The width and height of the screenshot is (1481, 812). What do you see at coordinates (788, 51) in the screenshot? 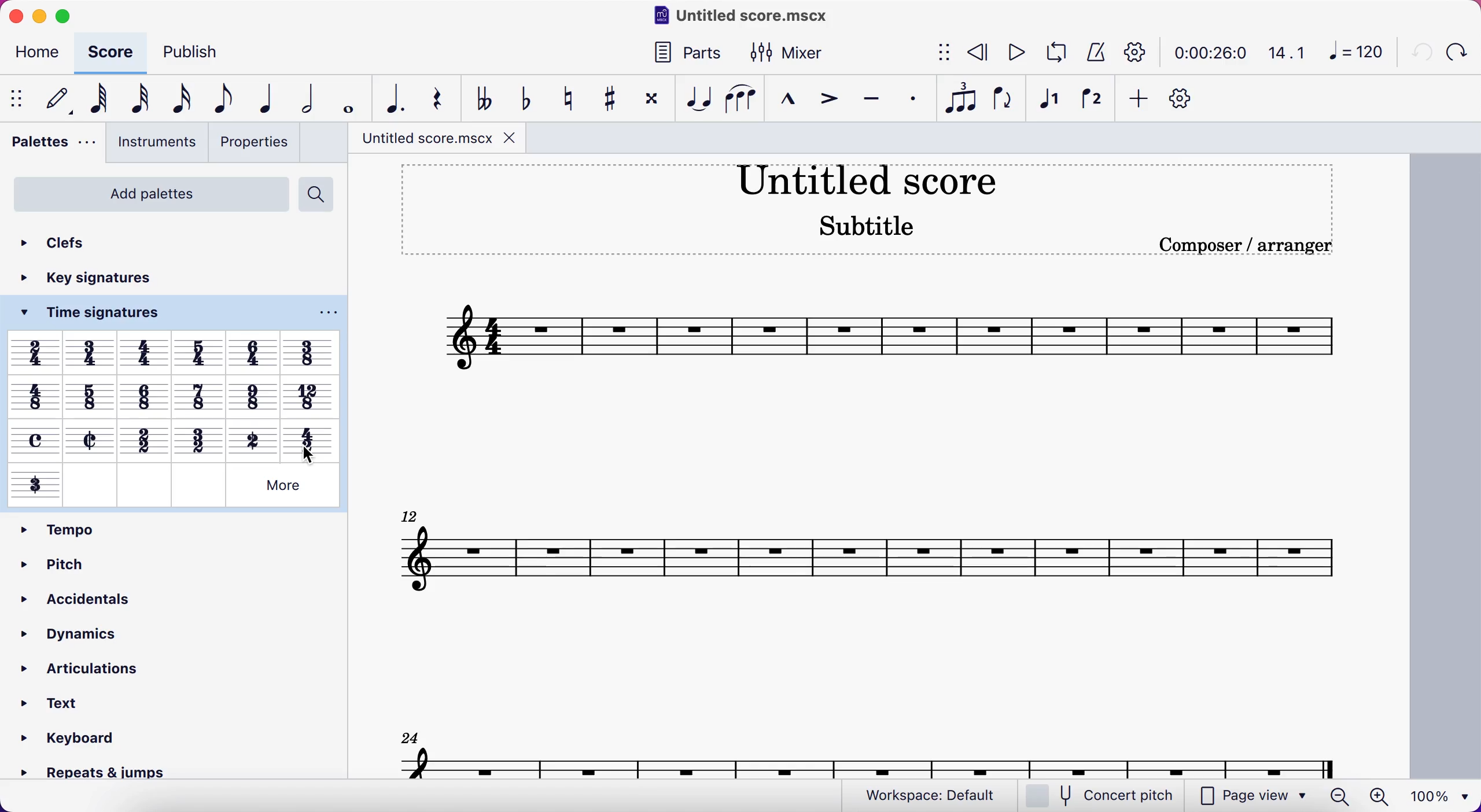
I see `mixer` at bounding box center [788, 51].